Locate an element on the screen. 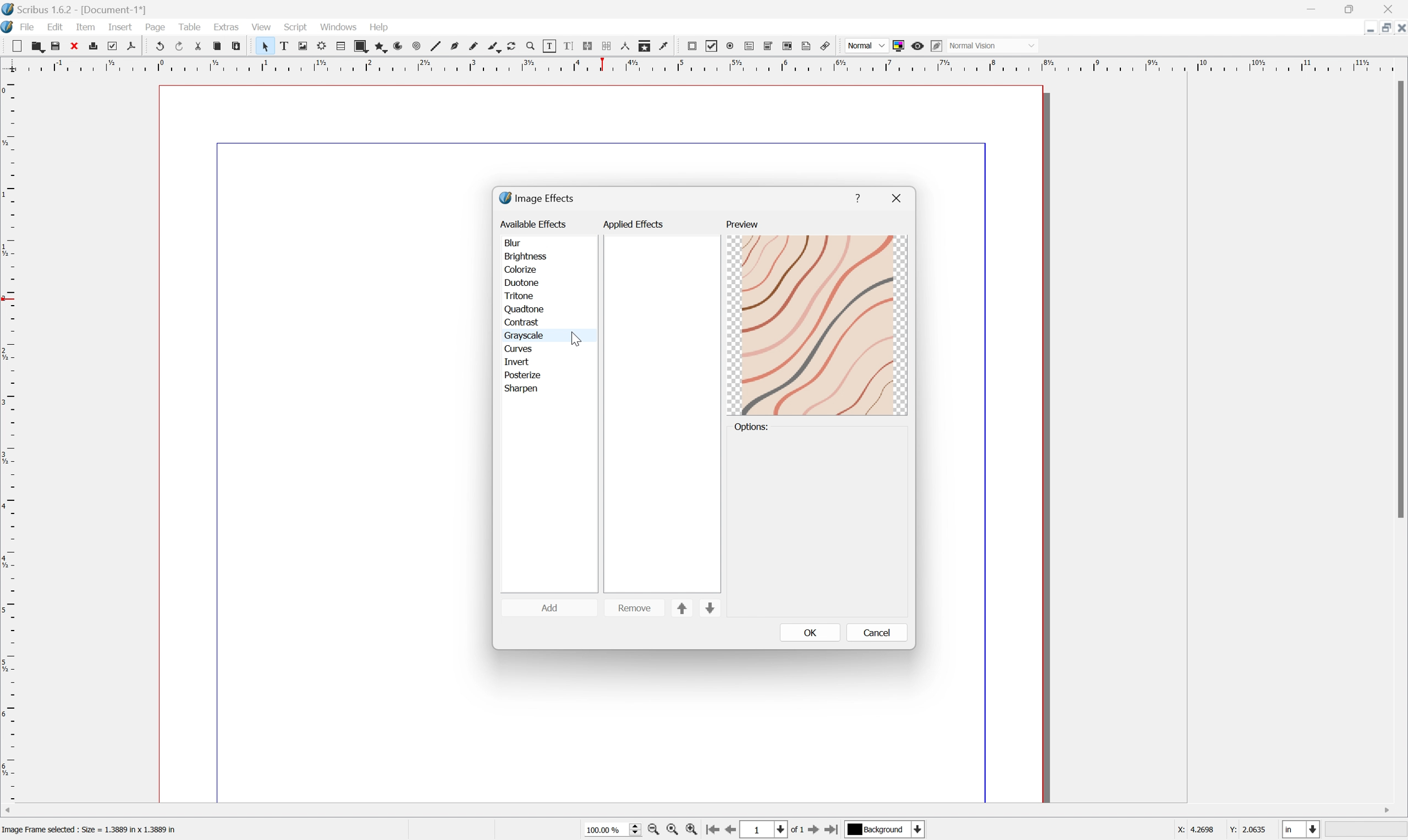  Image frame is located at coordinates (307, 45).